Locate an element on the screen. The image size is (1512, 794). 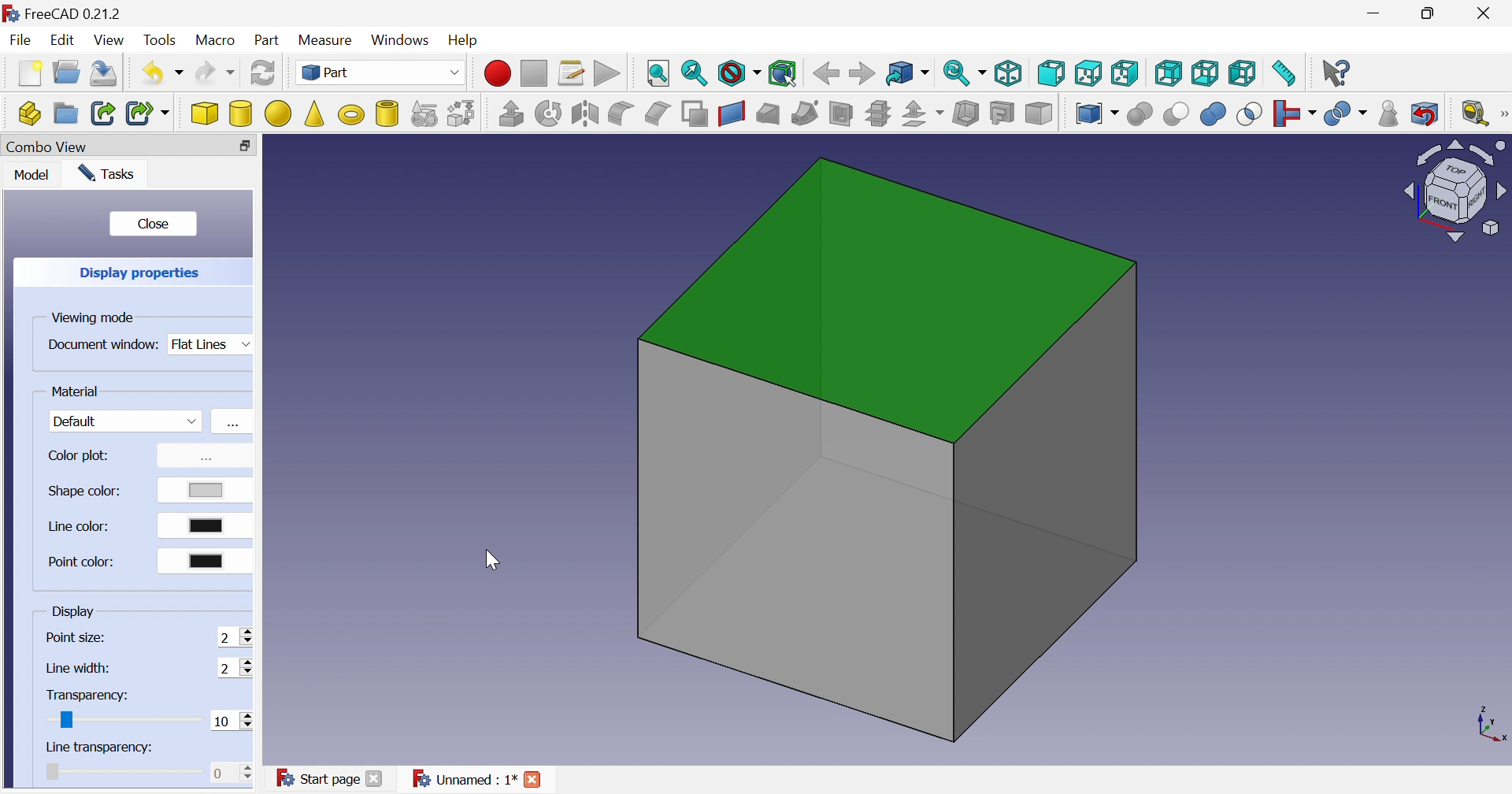
Part is located at coordinates (269, 41).